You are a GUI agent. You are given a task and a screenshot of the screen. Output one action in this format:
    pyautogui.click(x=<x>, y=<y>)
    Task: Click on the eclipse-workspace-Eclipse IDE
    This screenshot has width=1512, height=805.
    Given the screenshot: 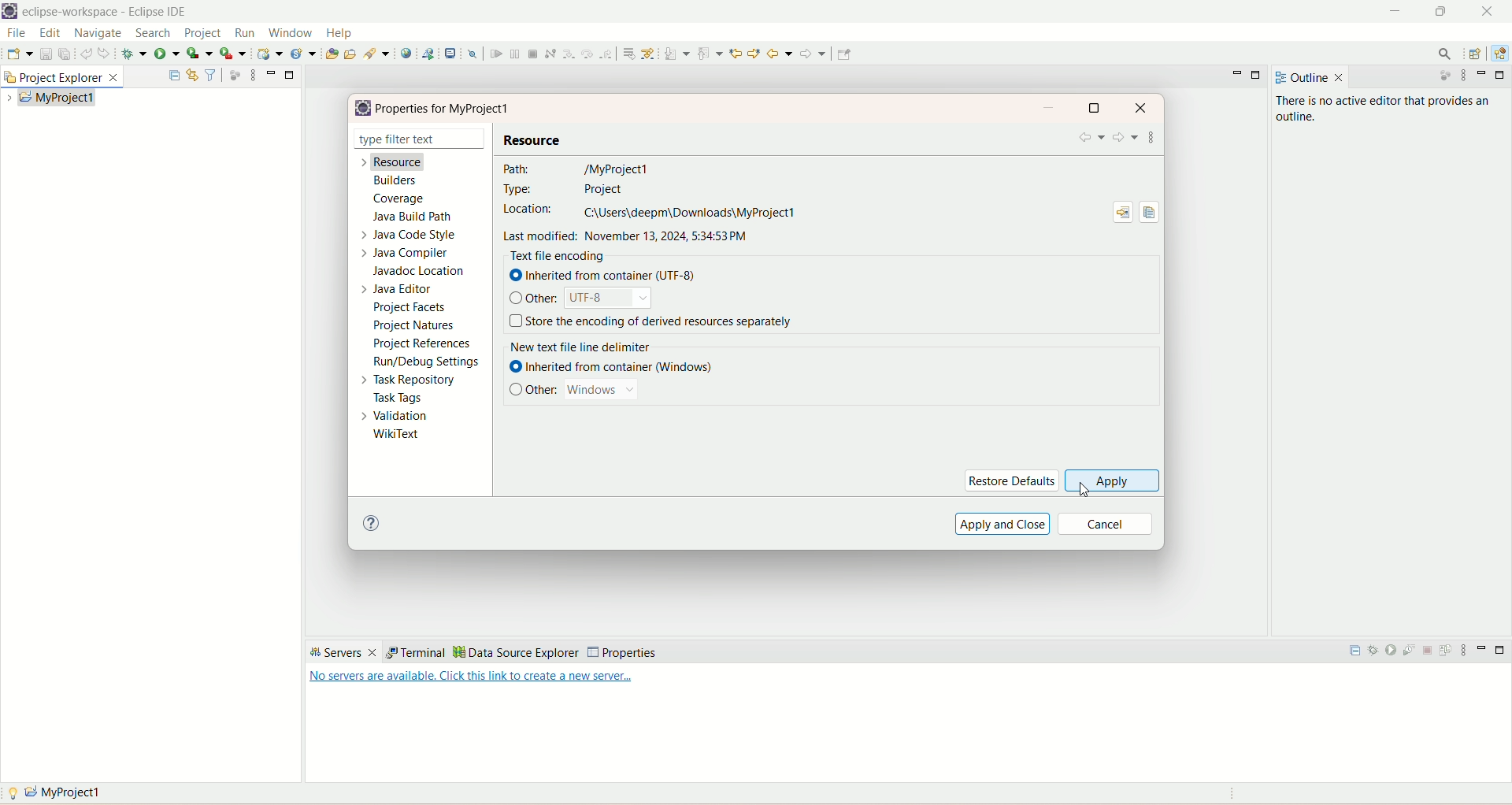 What is the action you would take?
    pyautogui.click(x=107, y=12)
    